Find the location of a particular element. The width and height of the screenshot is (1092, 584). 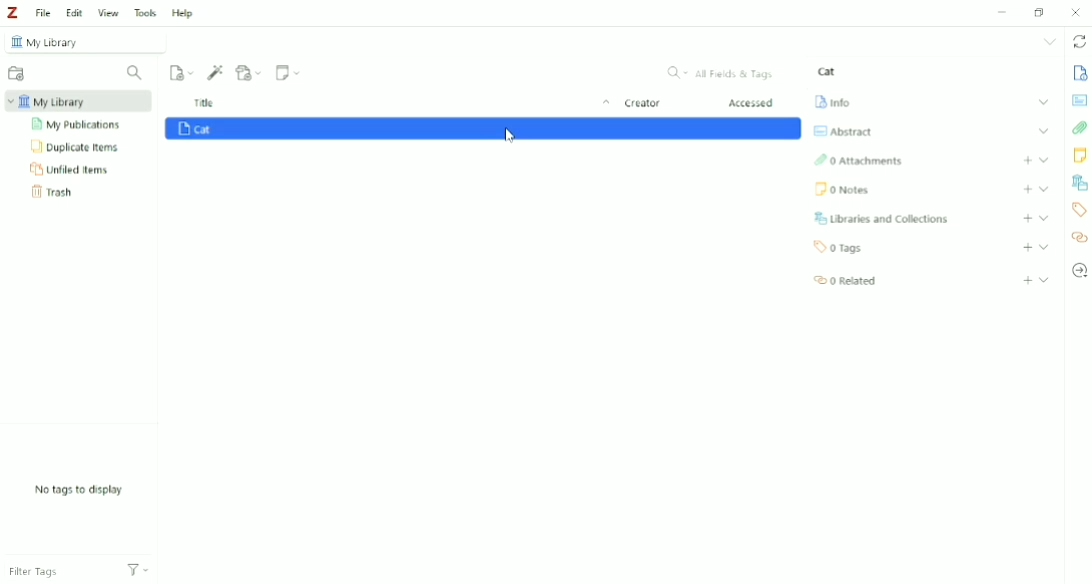

Help is located at coordinates (182, 14).